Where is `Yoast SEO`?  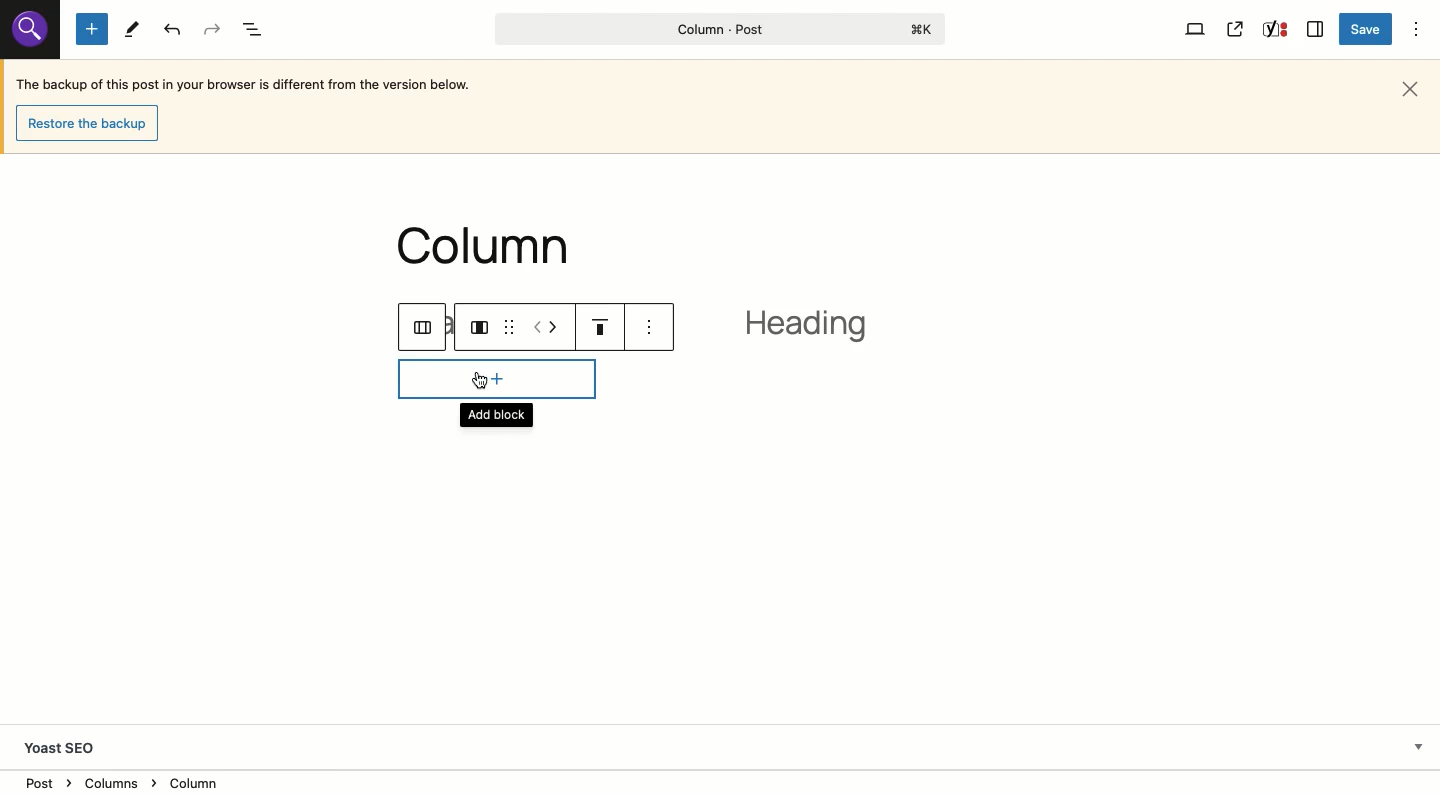
Yoast SEO is located at coordinates (68, 748).